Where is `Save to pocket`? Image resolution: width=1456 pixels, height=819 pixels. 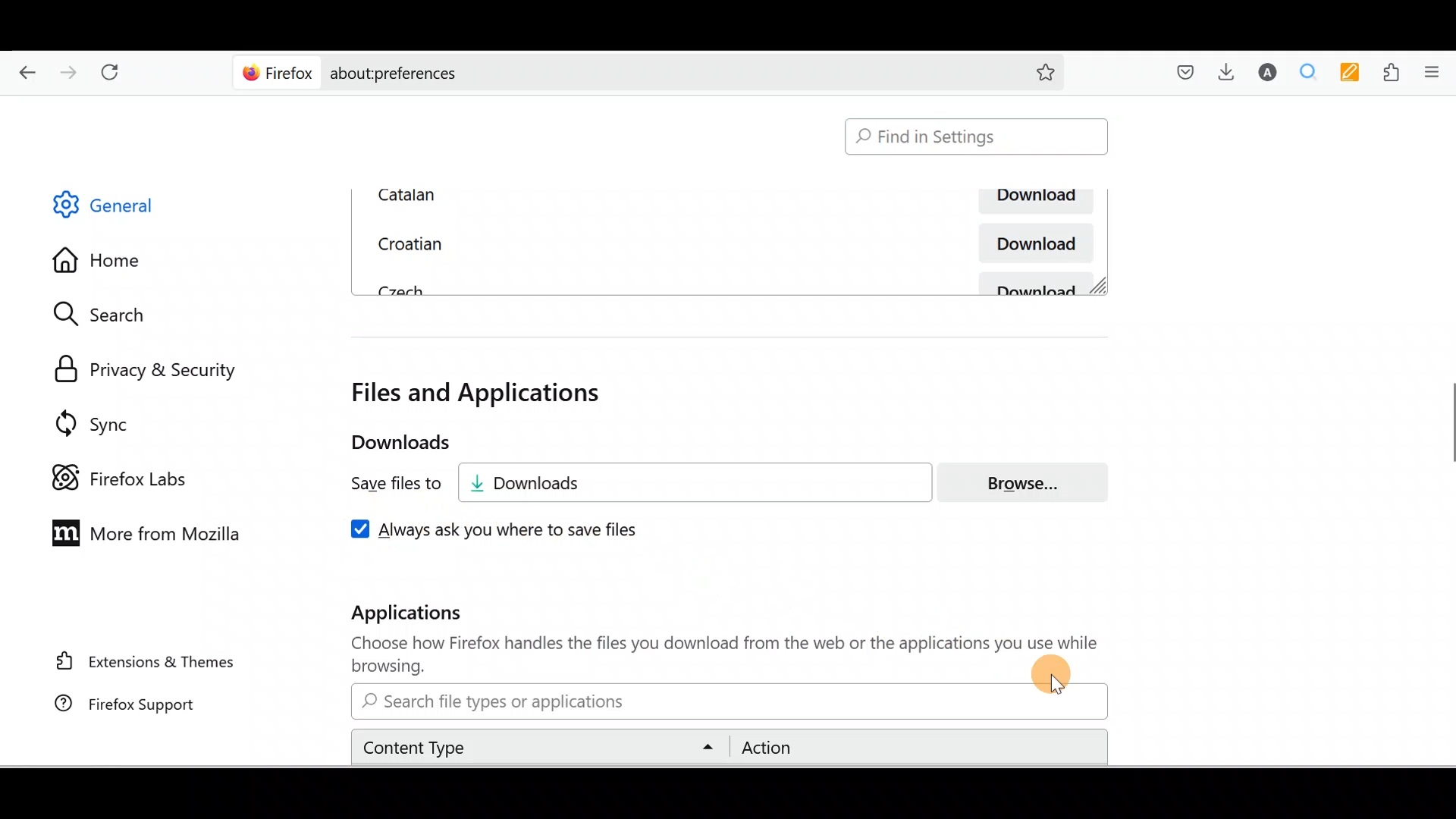 Save to pocket is located at coordinates (1179, 72).